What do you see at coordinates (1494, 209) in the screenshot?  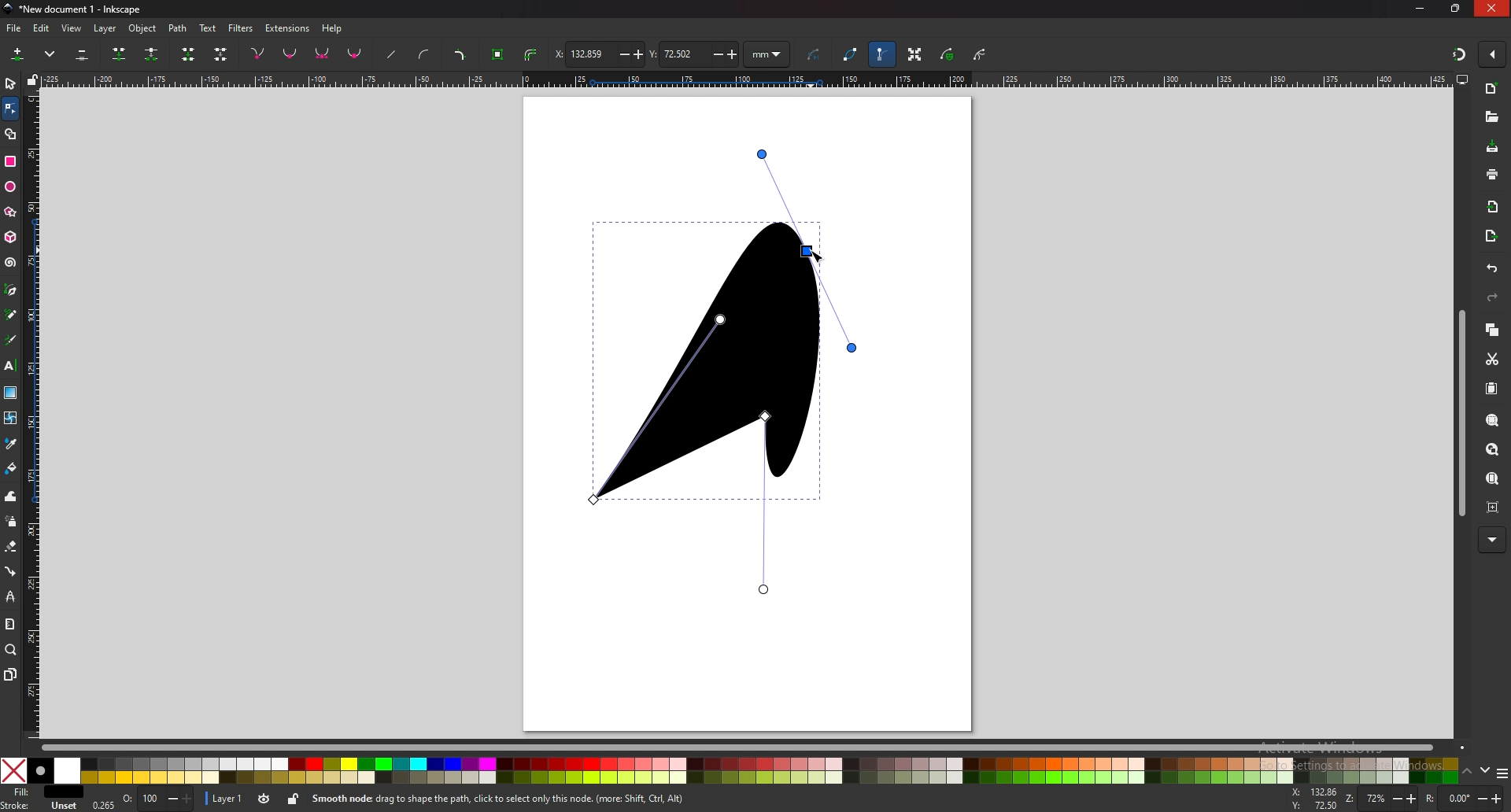 I see `import` at bounding box center [1494, 209].